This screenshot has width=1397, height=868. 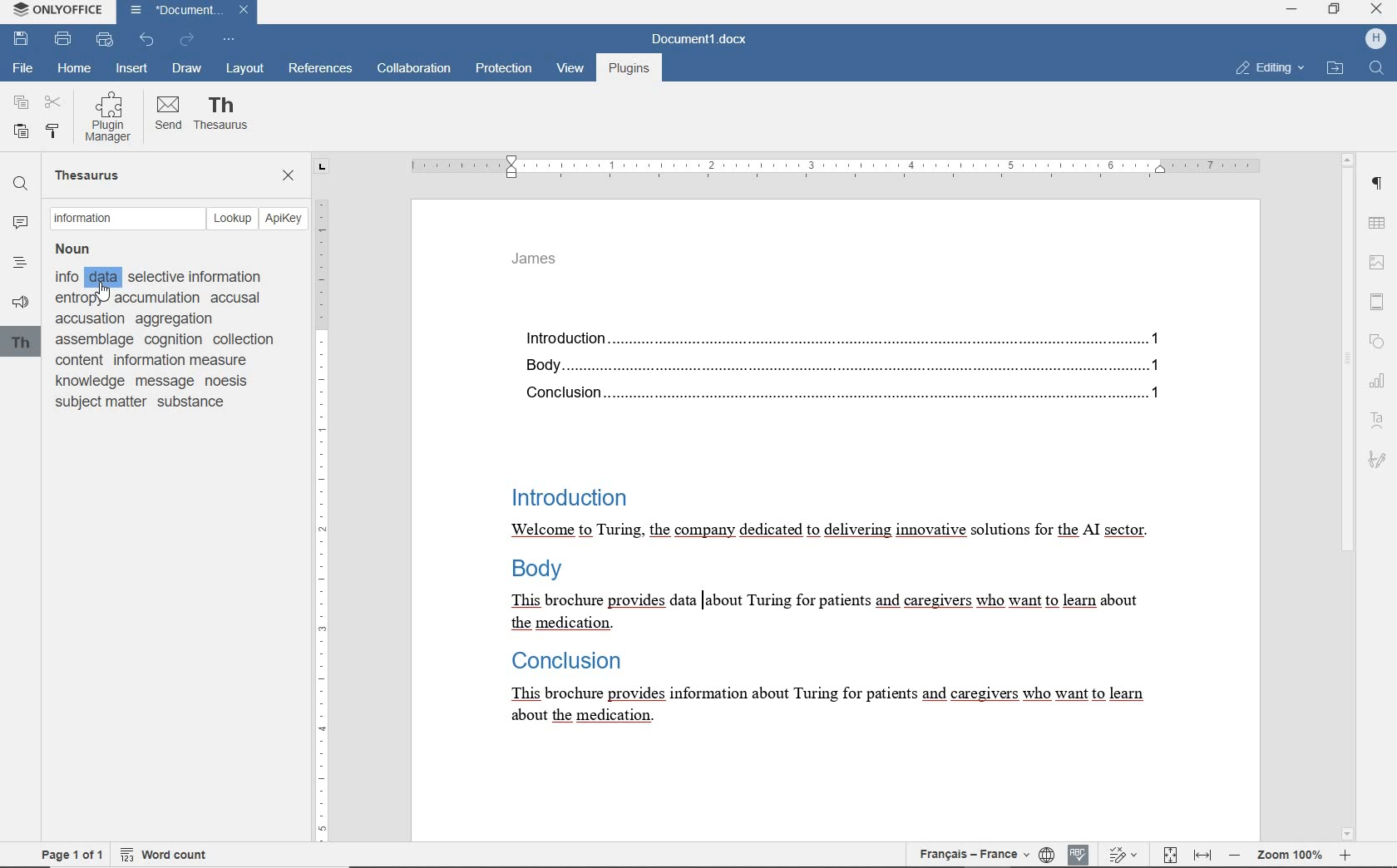 What do you see at coordinates (570, 72) in the screenshot?
I see `VIEW` at bounding box center [570, 72].